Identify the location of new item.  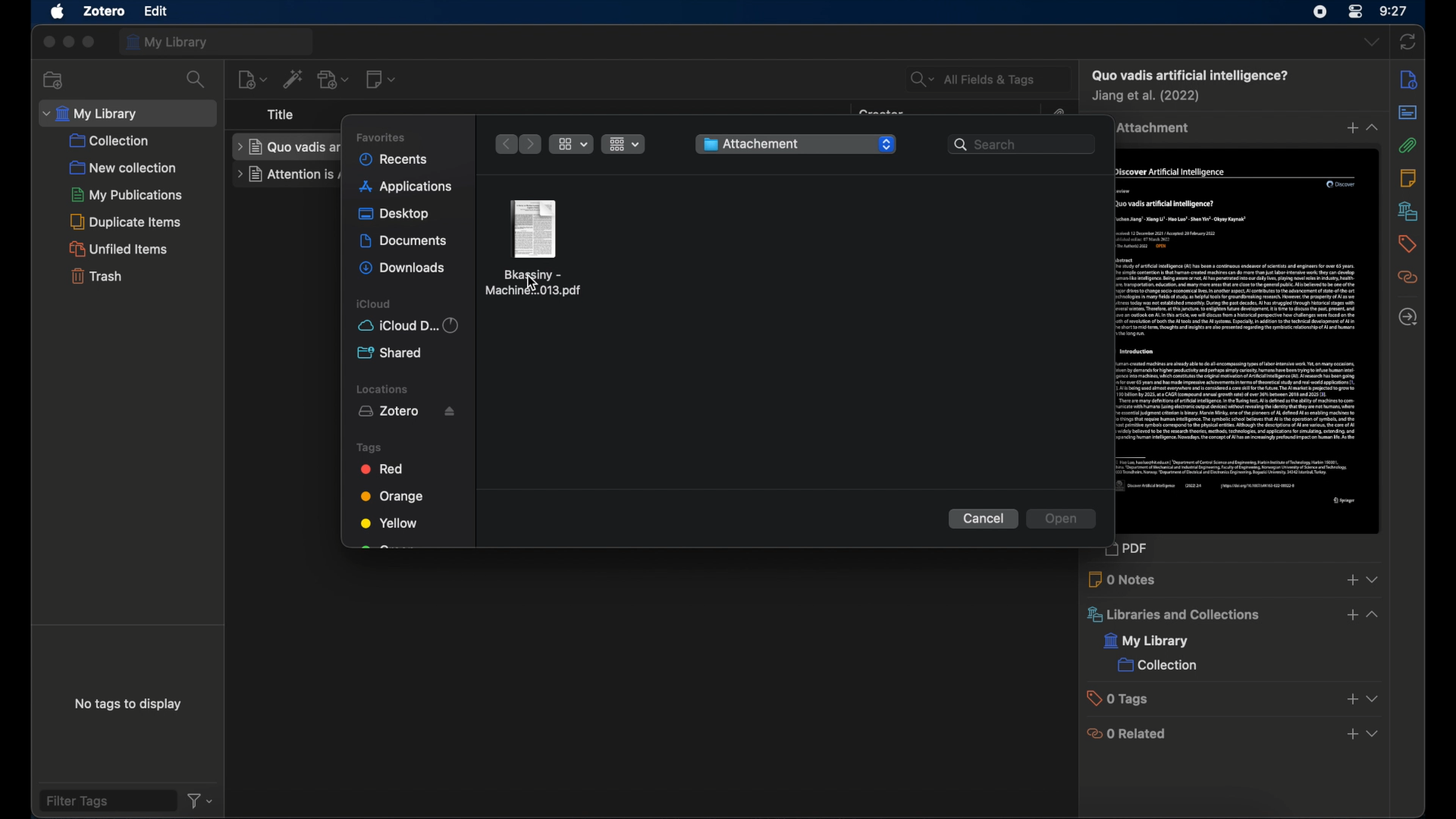
(252, 78).